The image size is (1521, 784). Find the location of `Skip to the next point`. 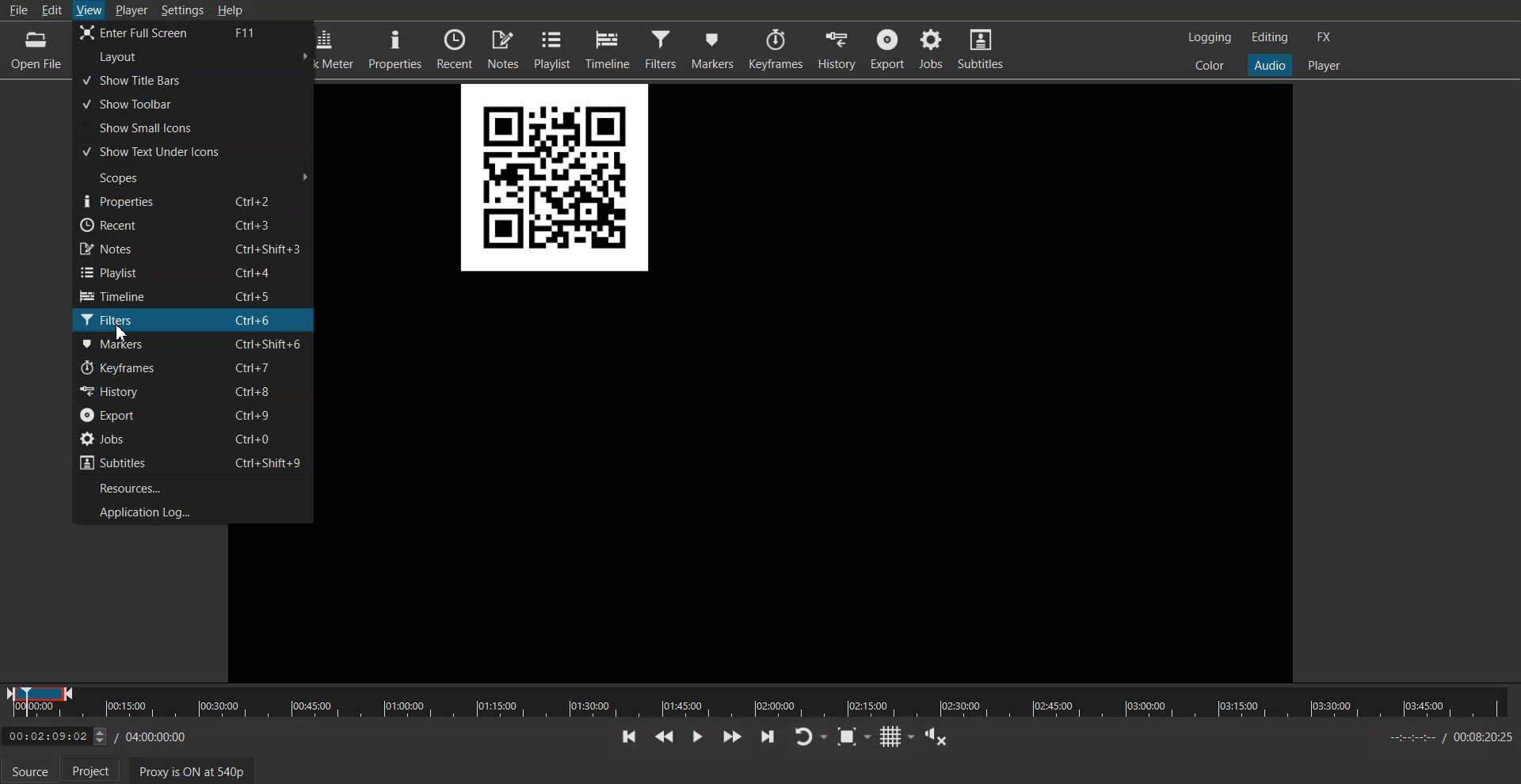

Skip to the next point is located at coordinates (768, 737).